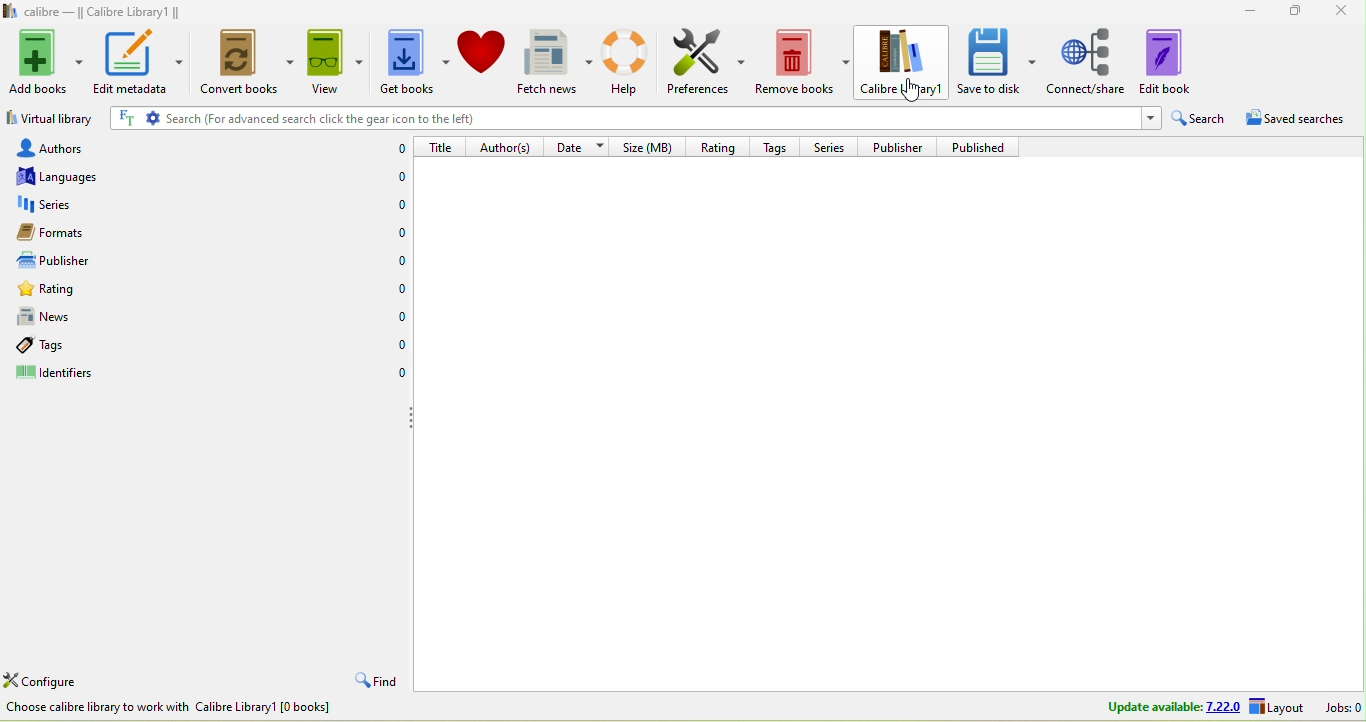 The image size is (1366, 722). I want to click on date, so click(580, 145).